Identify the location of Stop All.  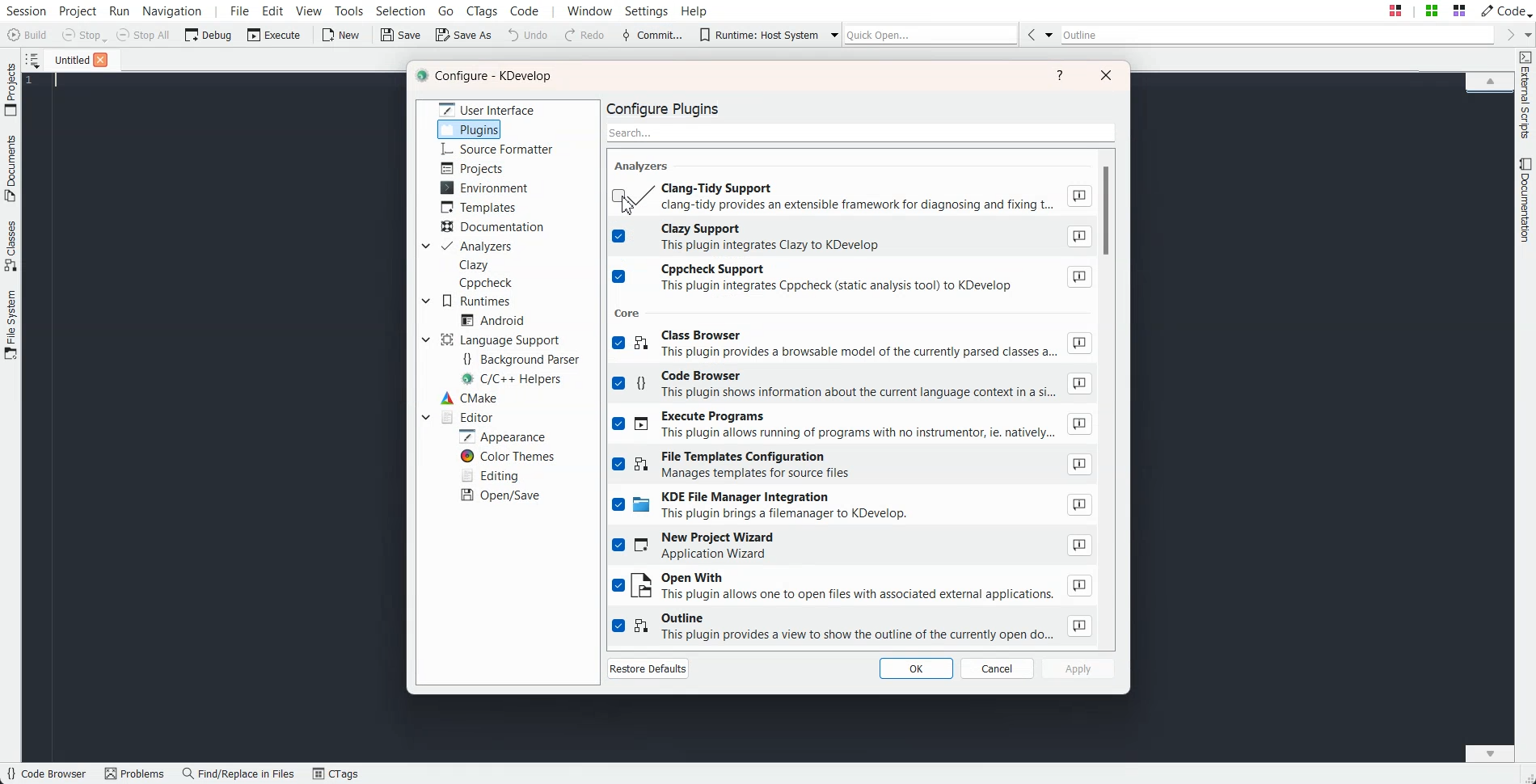
(144, 35).